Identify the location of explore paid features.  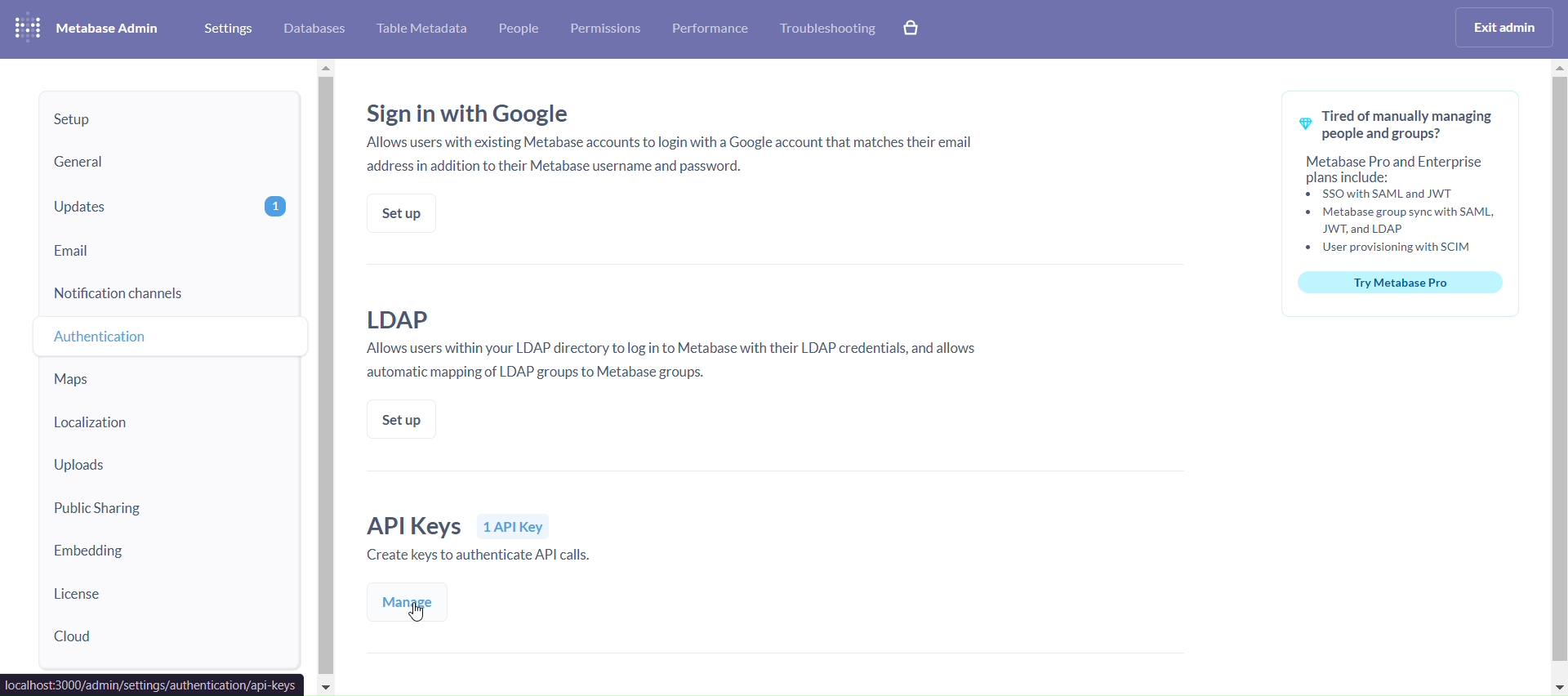
(915, 29).